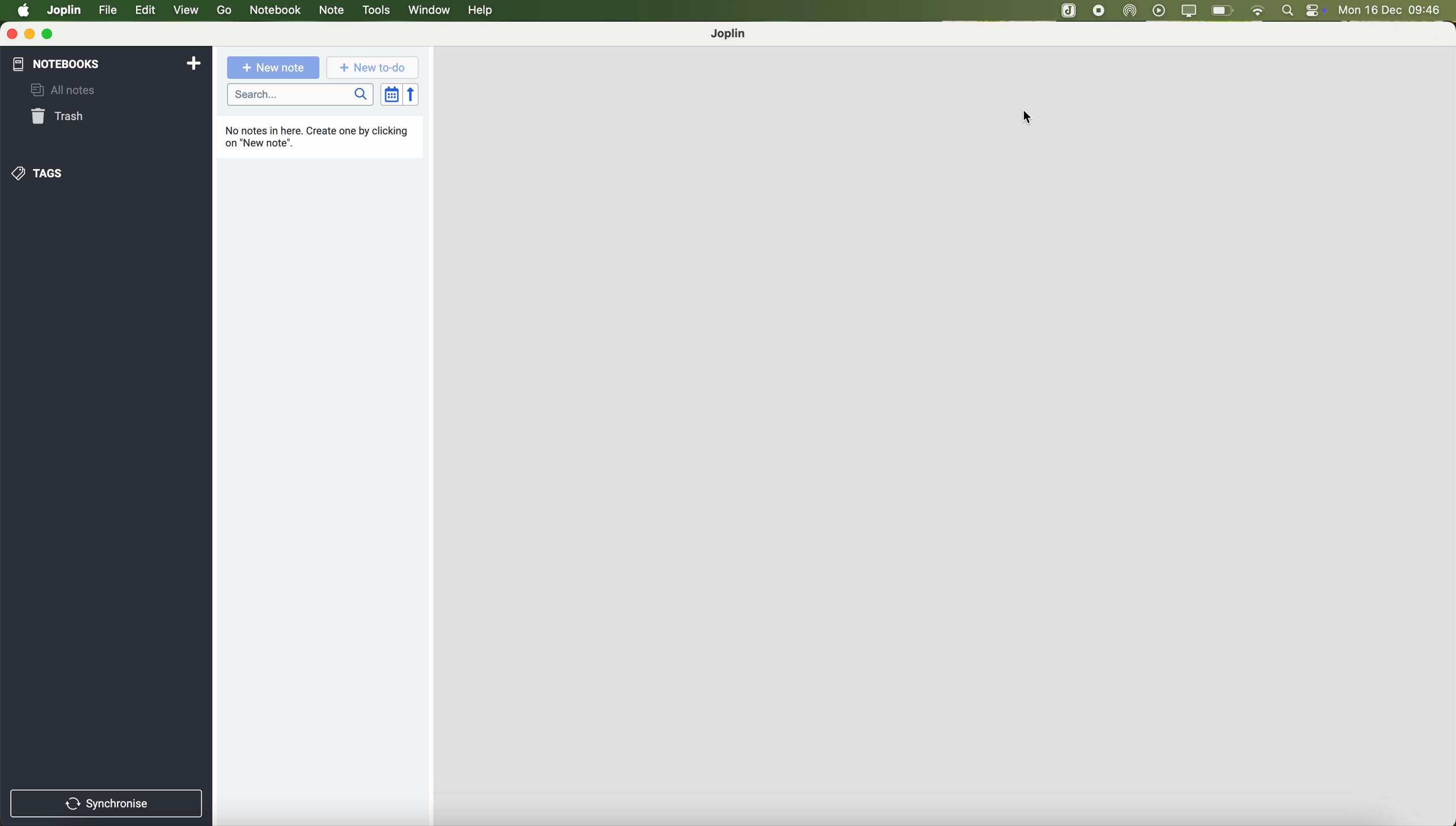  What do you see at coordinates (50, 35) in the screenshot?
I see `maximize` at bounding box center [50, 35].